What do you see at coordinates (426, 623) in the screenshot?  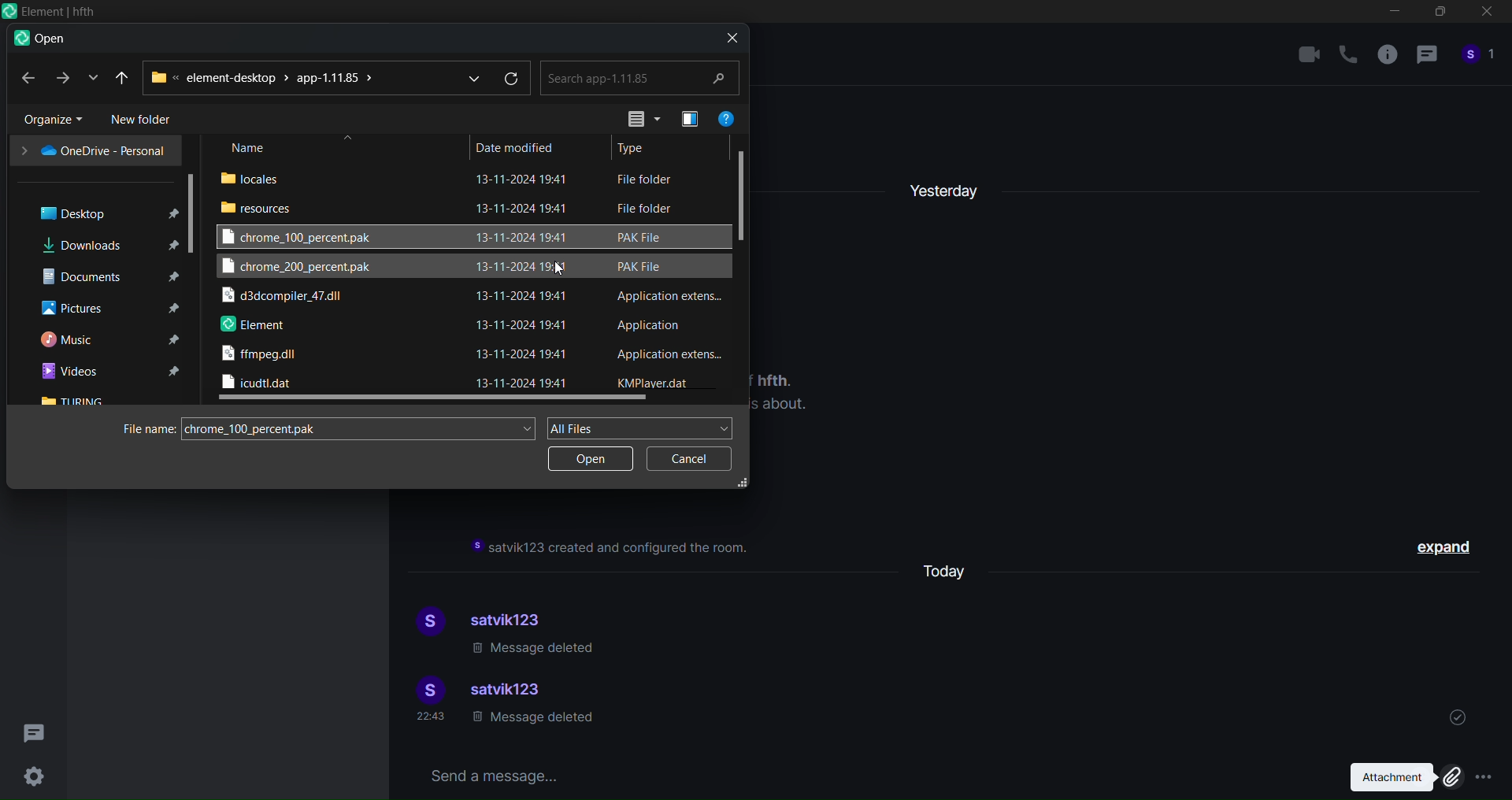 I see `display picture` at bounding box center [426, 623].